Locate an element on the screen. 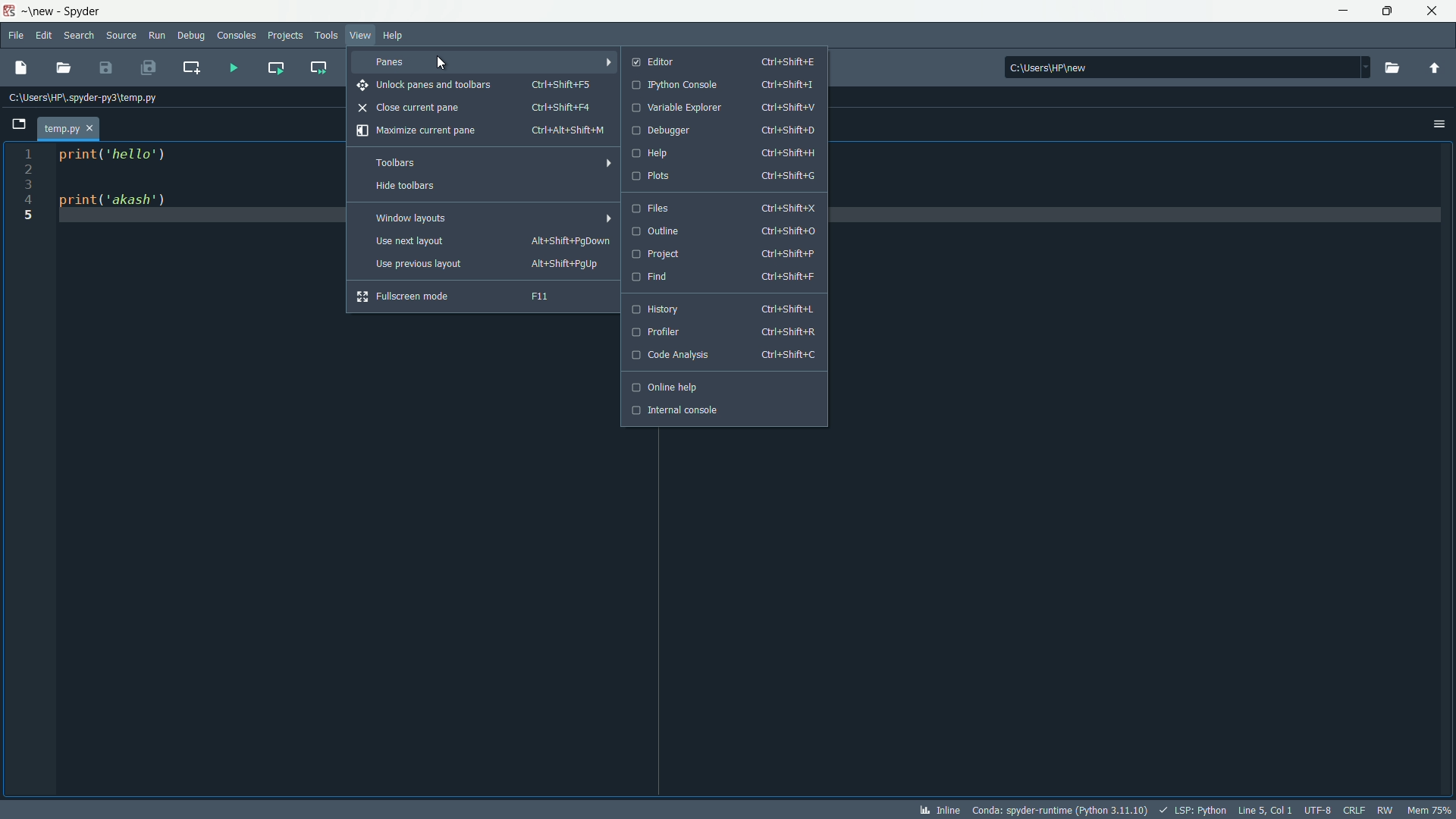 The image size is (1456, 819). help menu is located at coordinates (391, 36).